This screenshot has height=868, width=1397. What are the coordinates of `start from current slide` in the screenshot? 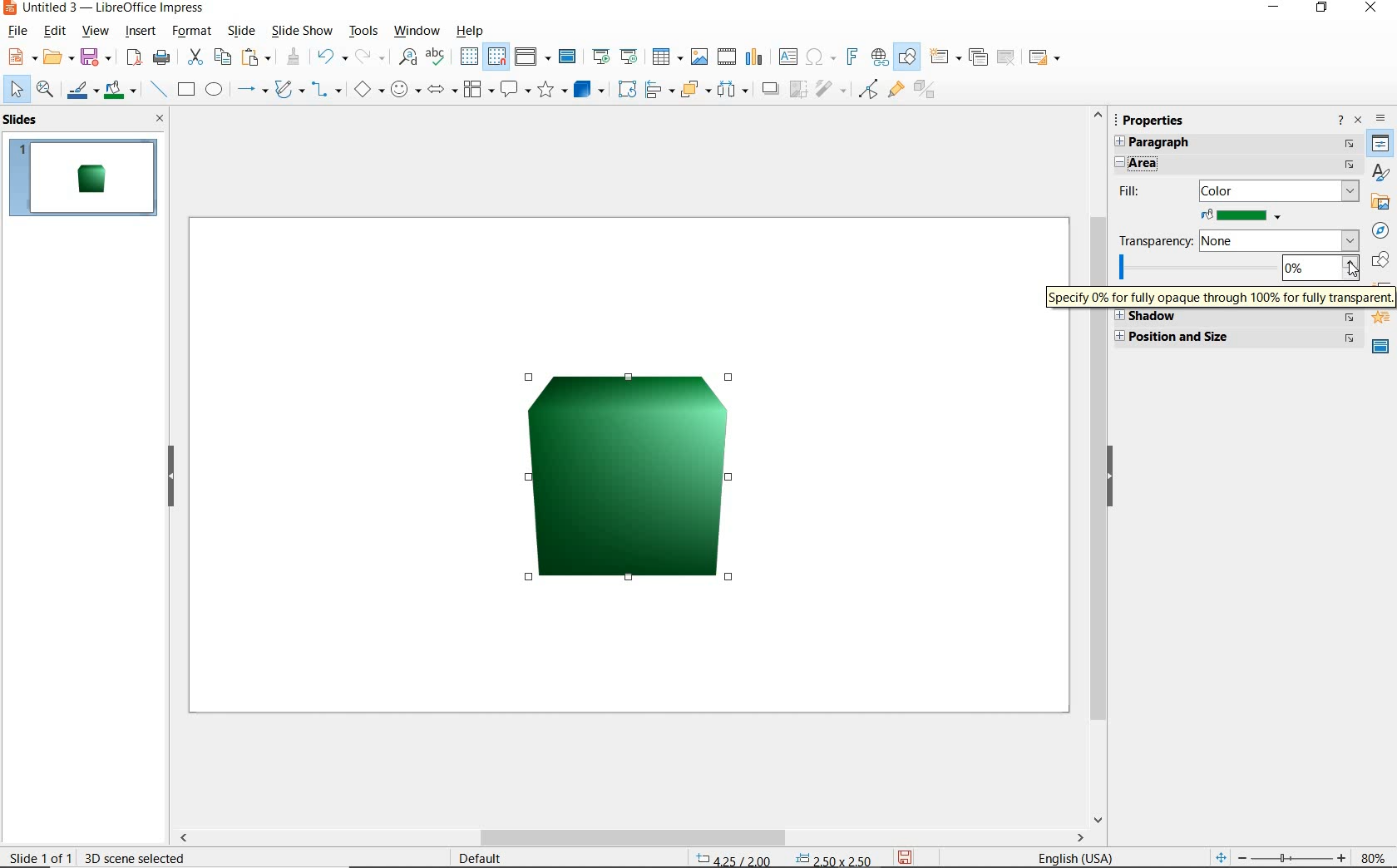 It's located at (630, 57).